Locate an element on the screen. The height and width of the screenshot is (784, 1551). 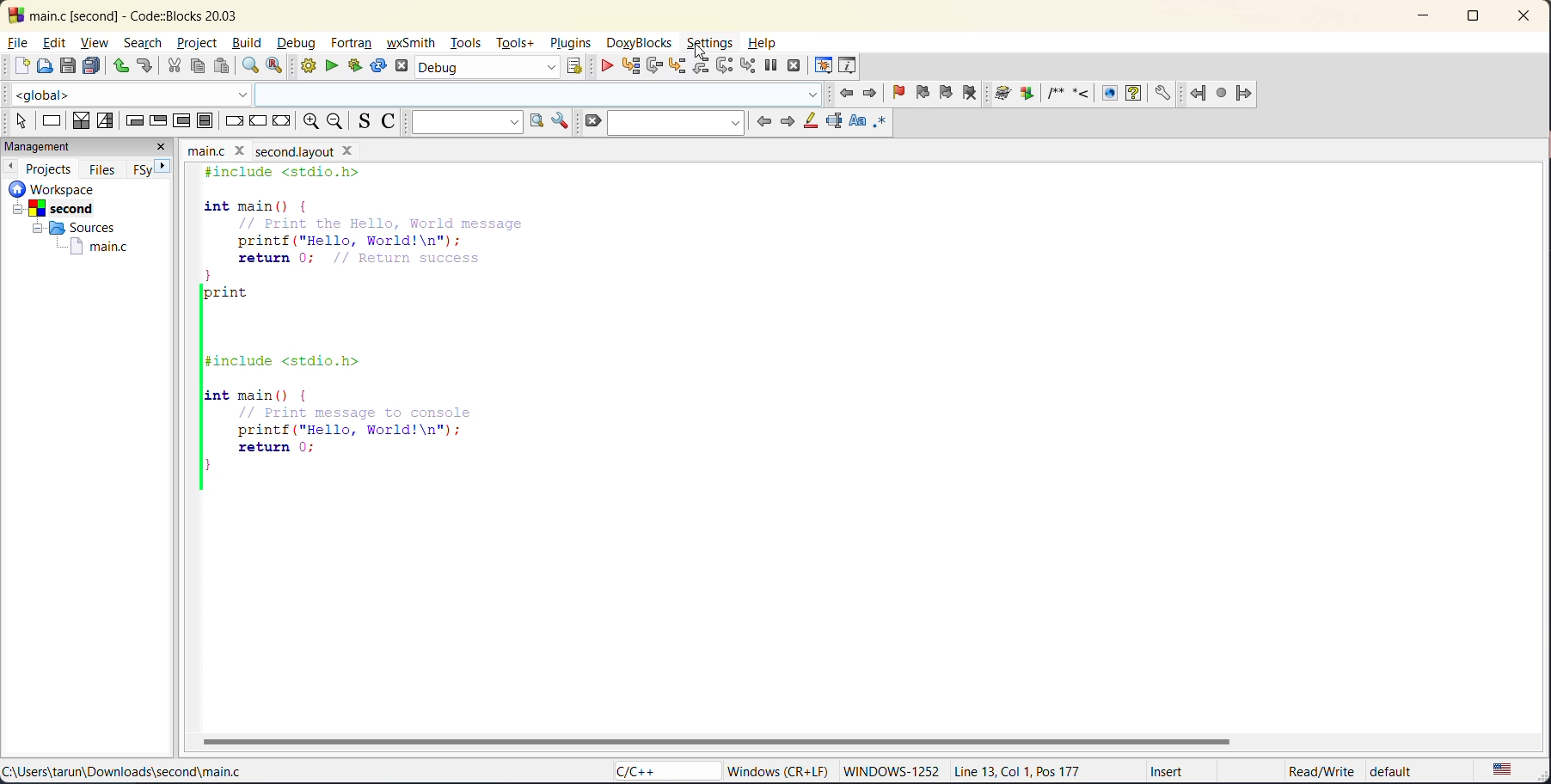
rebuild is located at coordinates (380, 67).